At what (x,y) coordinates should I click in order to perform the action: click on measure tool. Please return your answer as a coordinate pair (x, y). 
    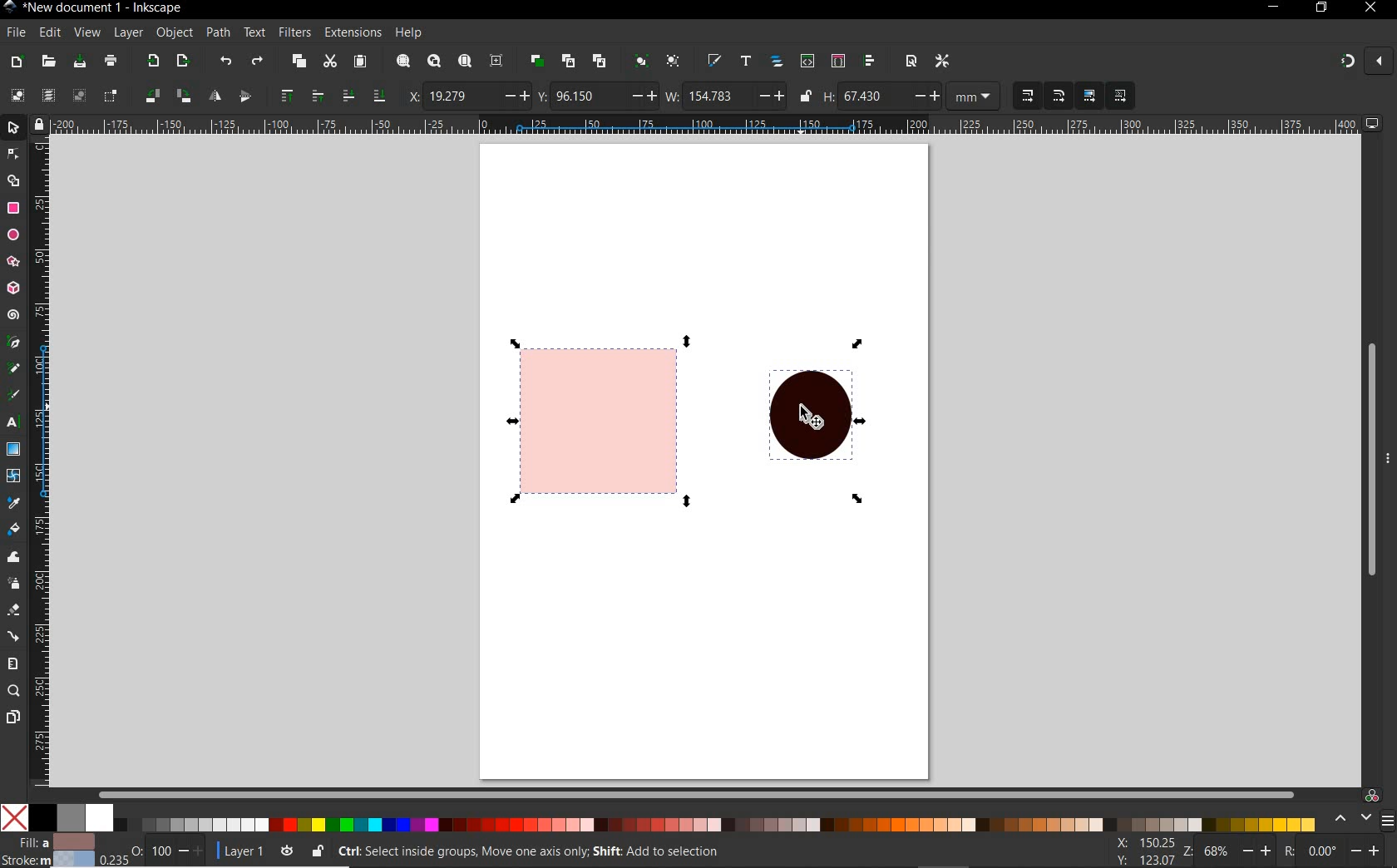
    Looking at the image, I should click on (12, 664).